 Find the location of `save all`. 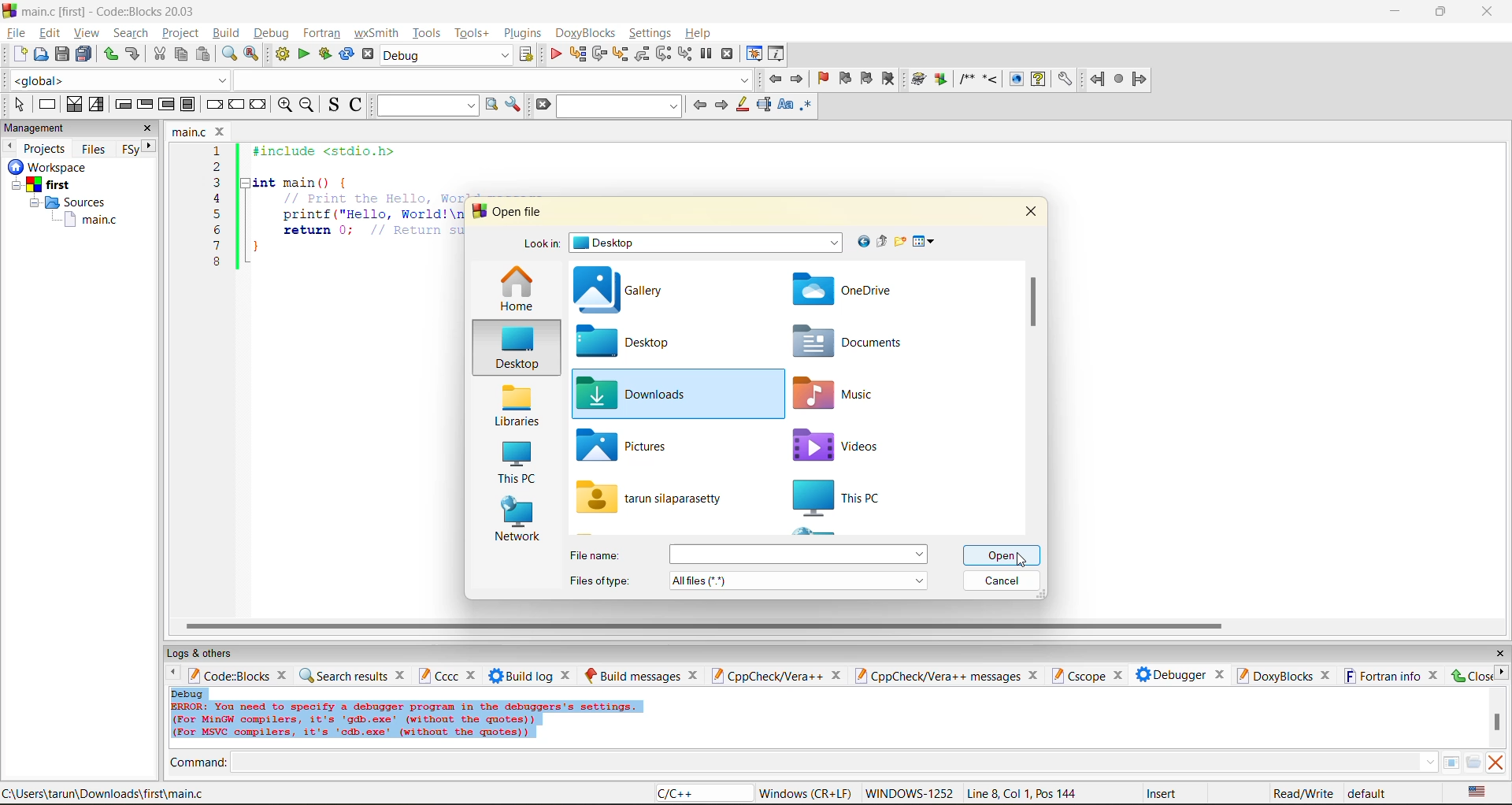

save all is located at coordinates (84, 54).